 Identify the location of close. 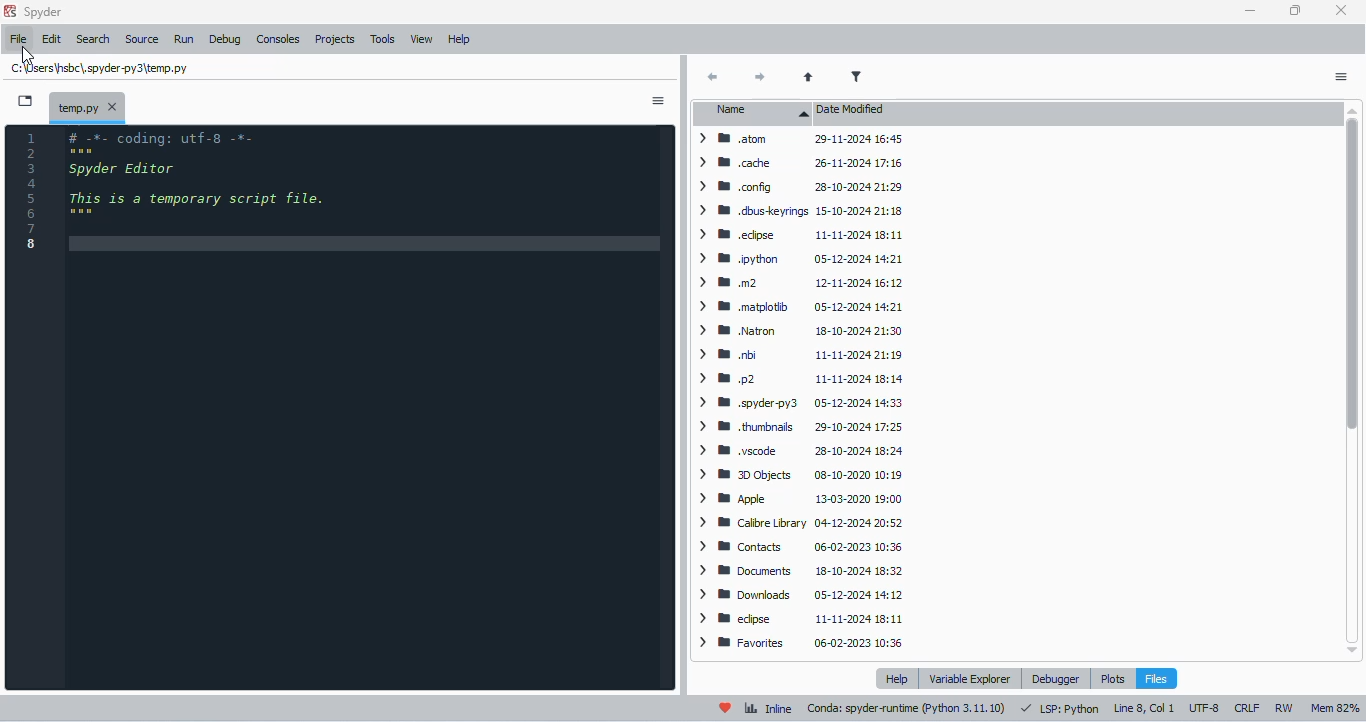
(112, 106).